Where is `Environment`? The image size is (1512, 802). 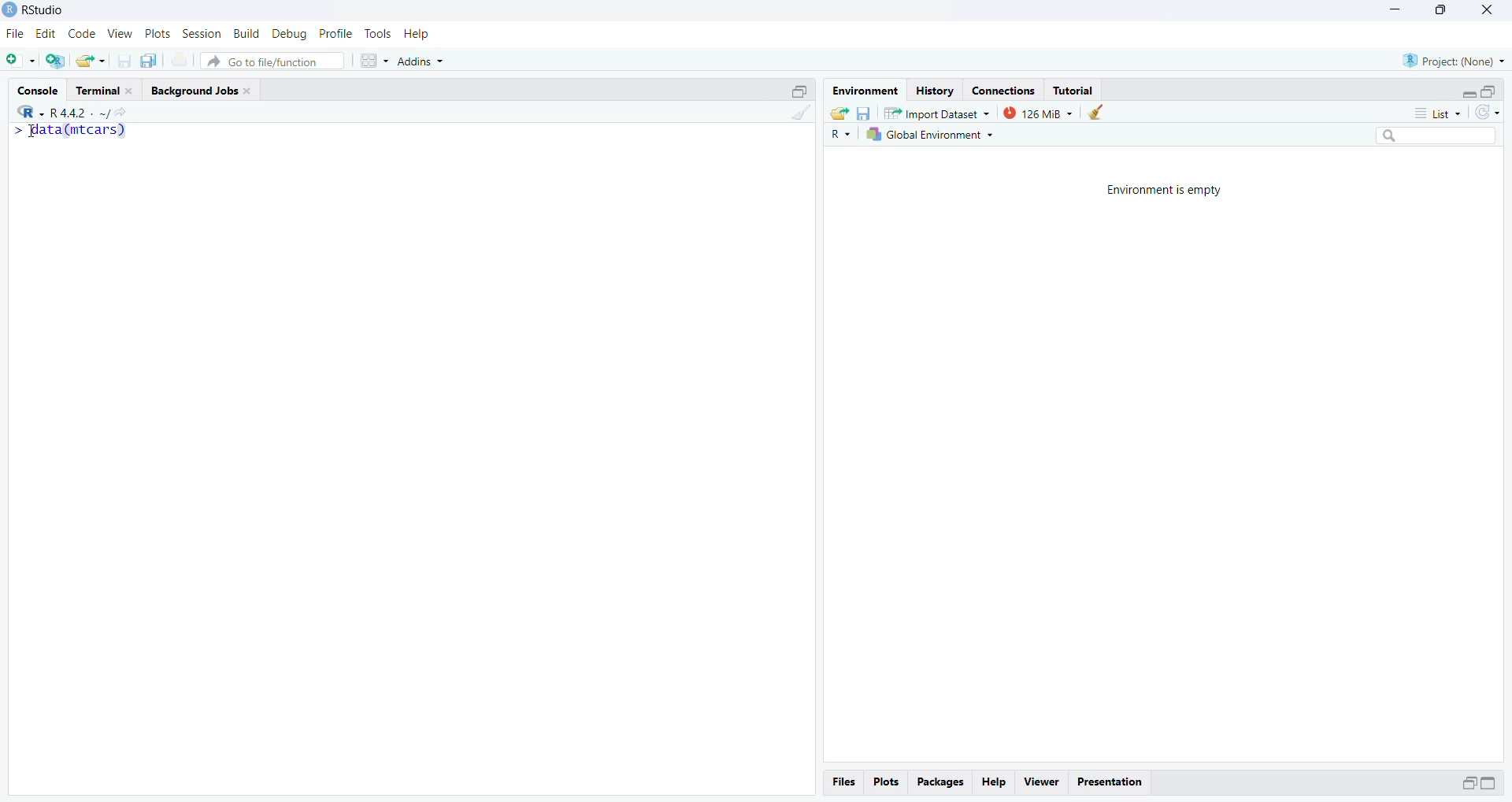
Environment is located at coordinates (863, 89).